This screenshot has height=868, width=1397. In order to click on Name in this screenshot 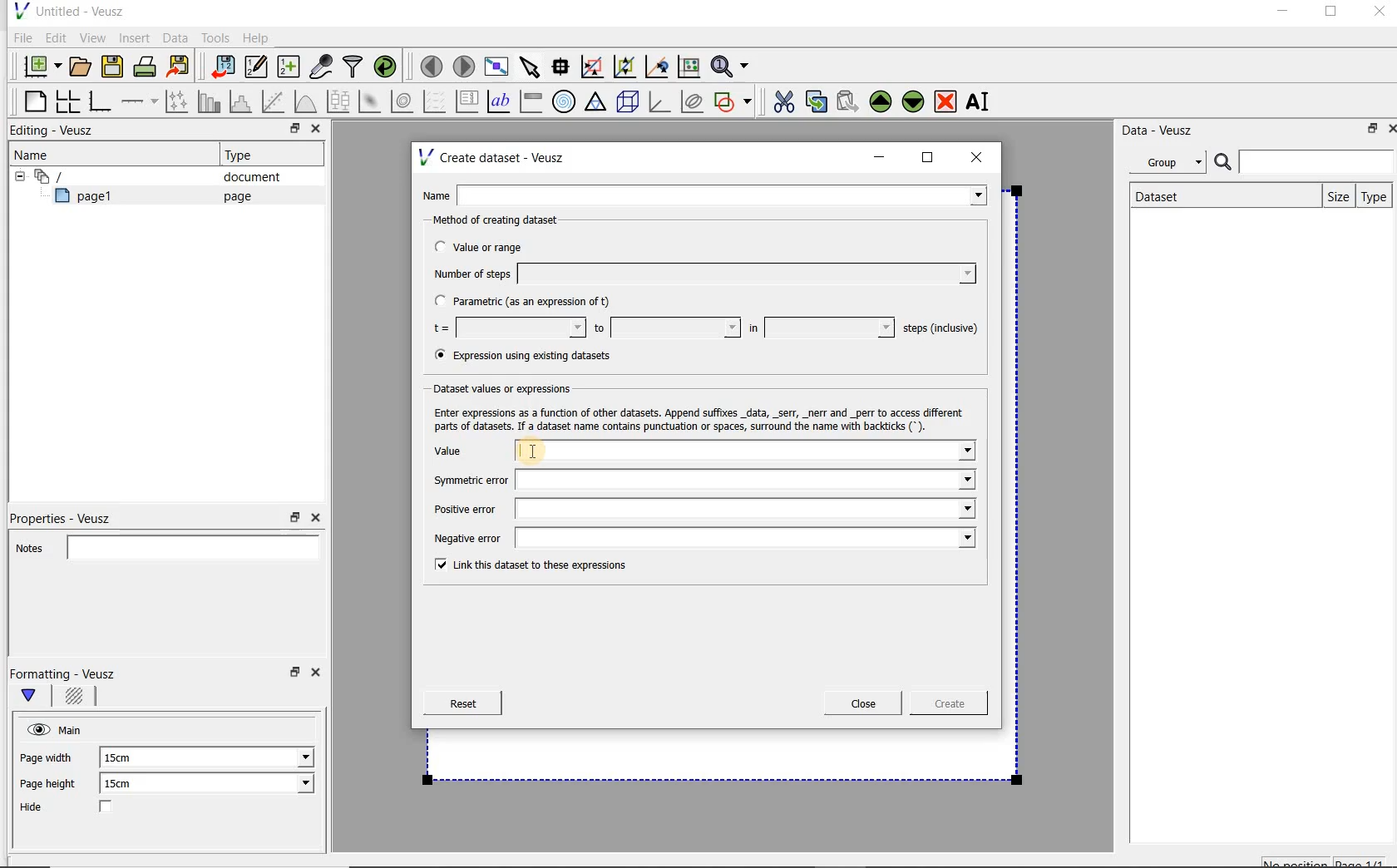, I will do `click(37, 154)`.